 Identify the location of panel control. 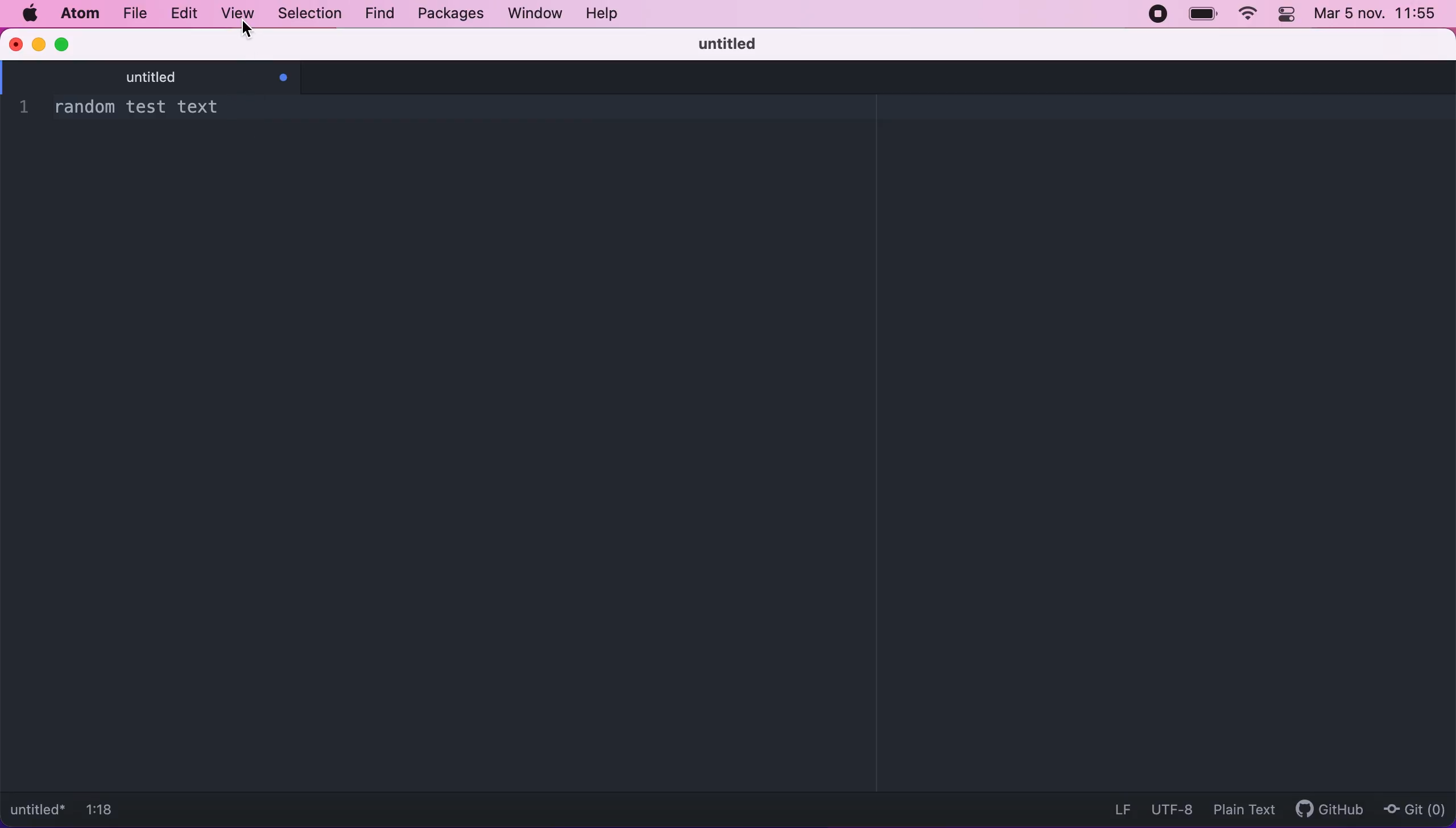
(1286, 16).